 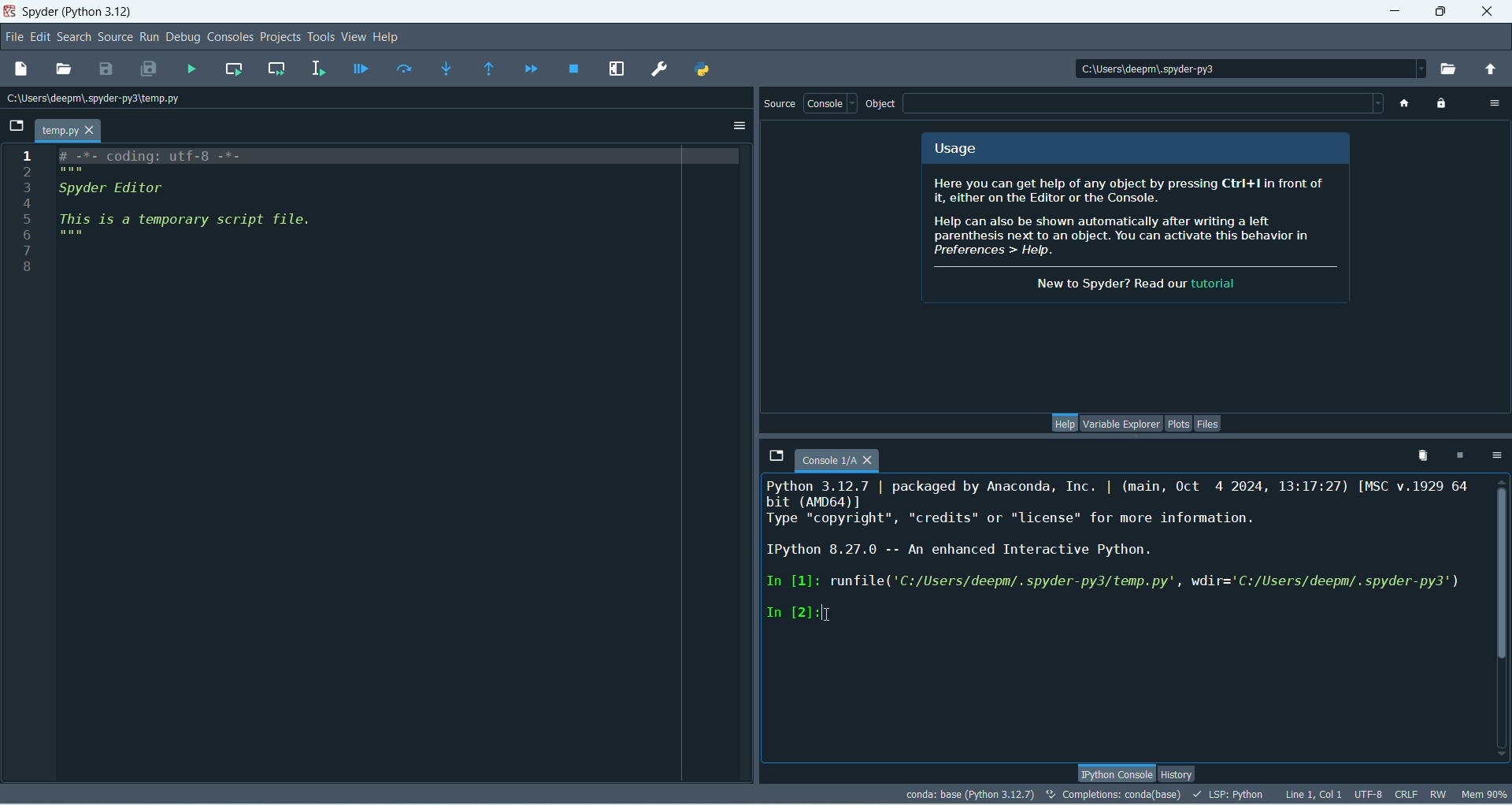 I want to click on step into function, so click(x=447, y=69).